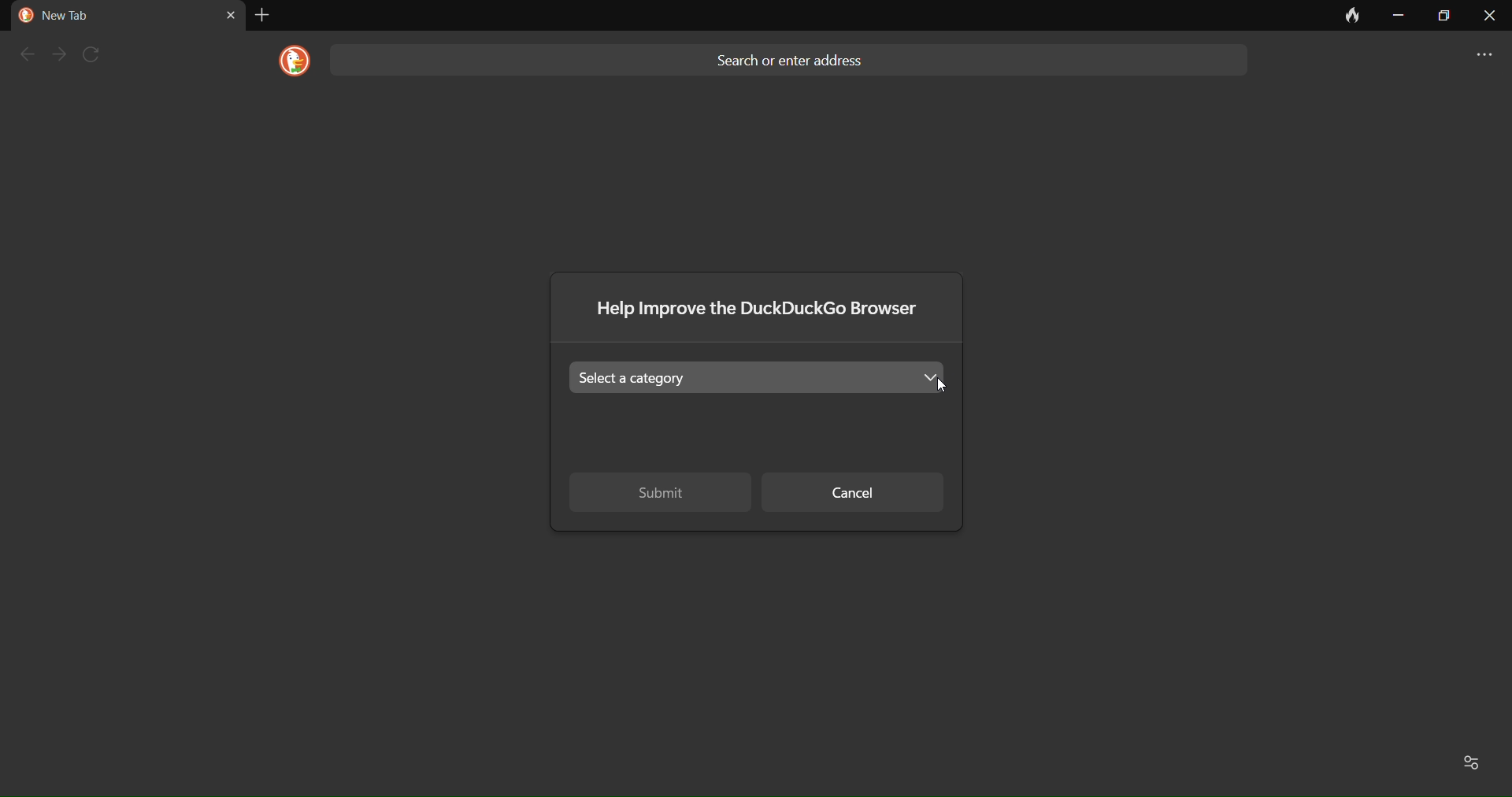 The width and height of the screenshot is (1512, 797). I want to click on submit, so click(662, 488).